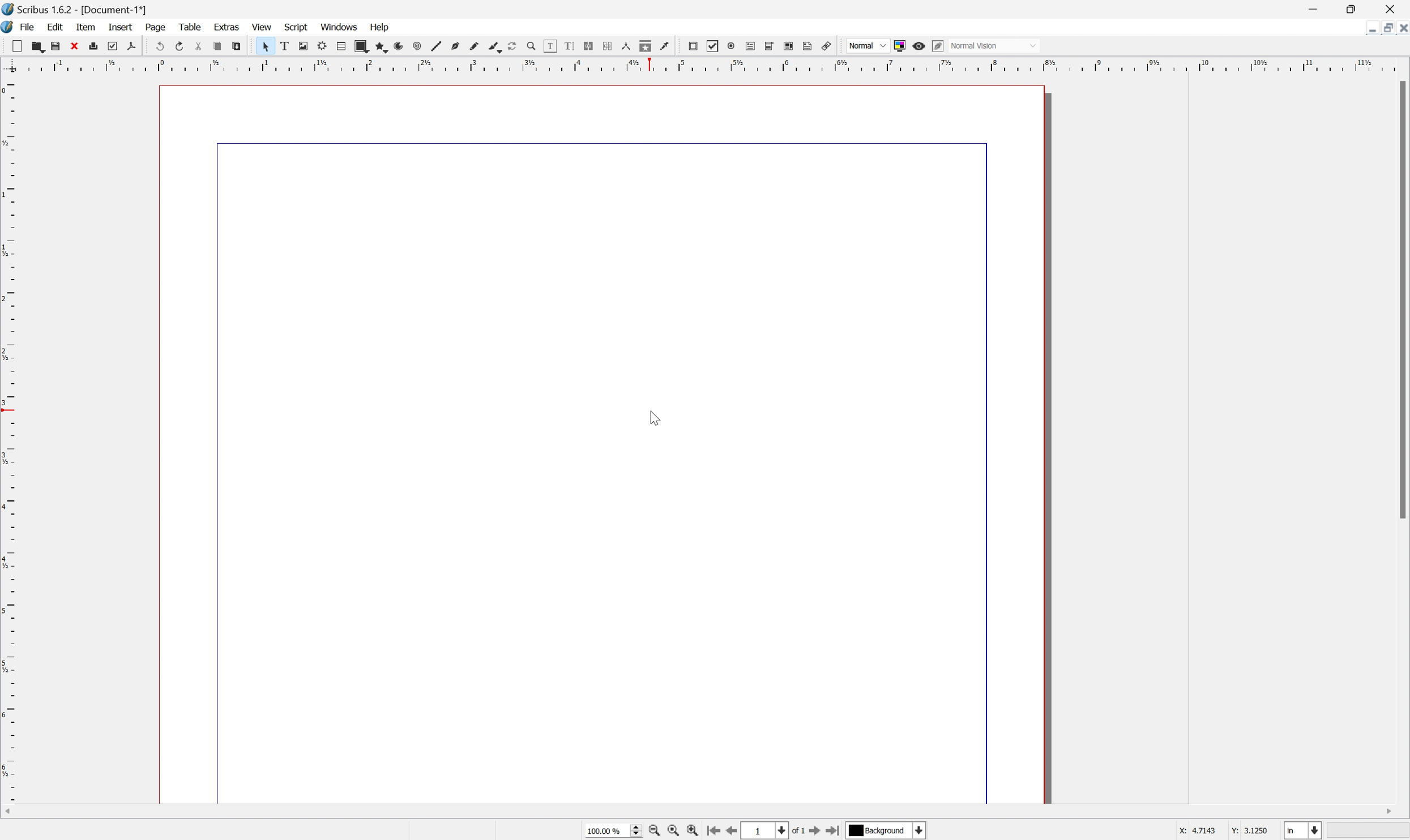 This screenshot has width=1410, height=840. Describe the element at coordinates (110, 46) in the screenshot. I see `preflight verifier` at that location.